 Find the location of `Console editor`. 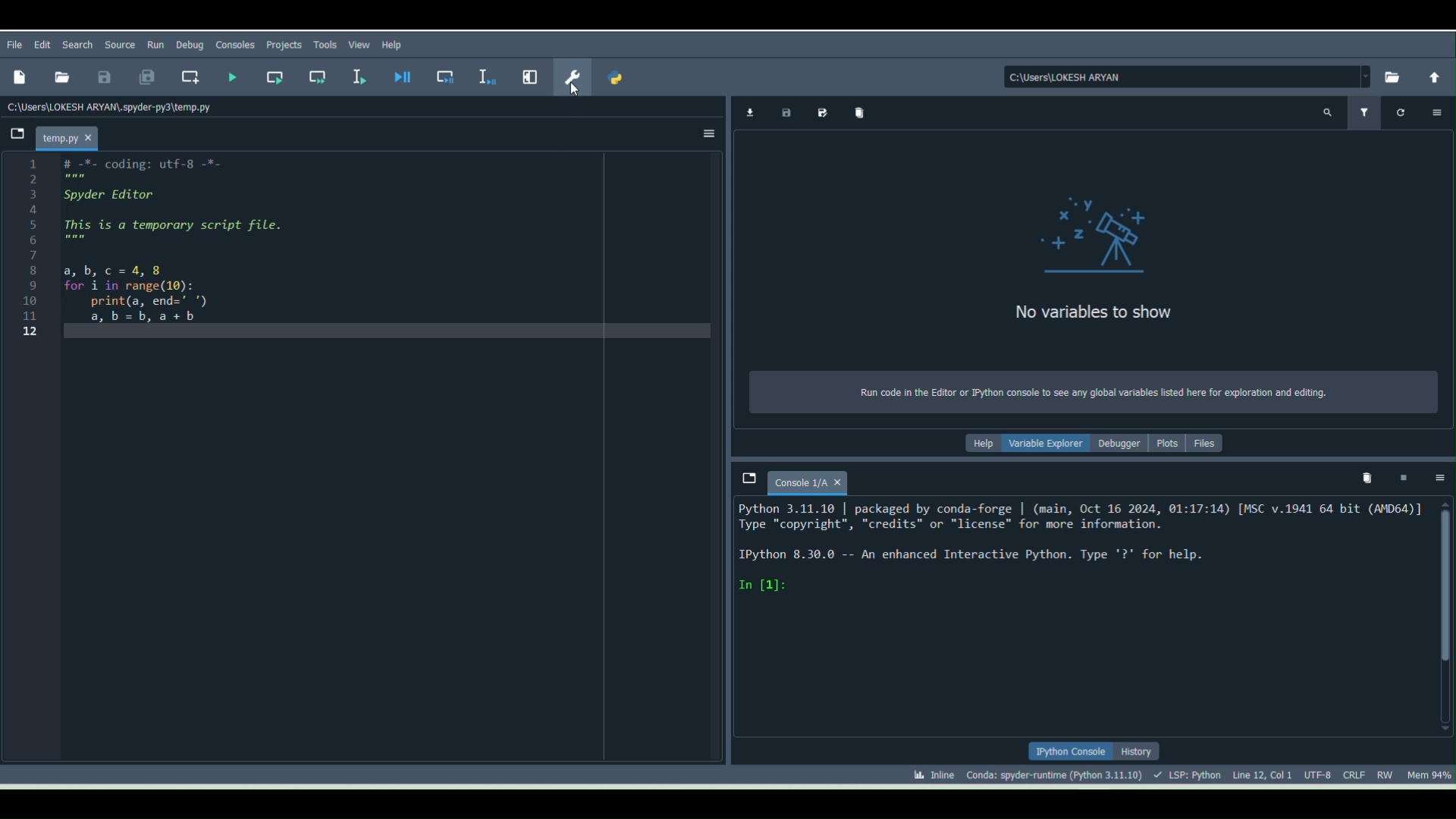

Console editor is located at coordinates (1084, 616).